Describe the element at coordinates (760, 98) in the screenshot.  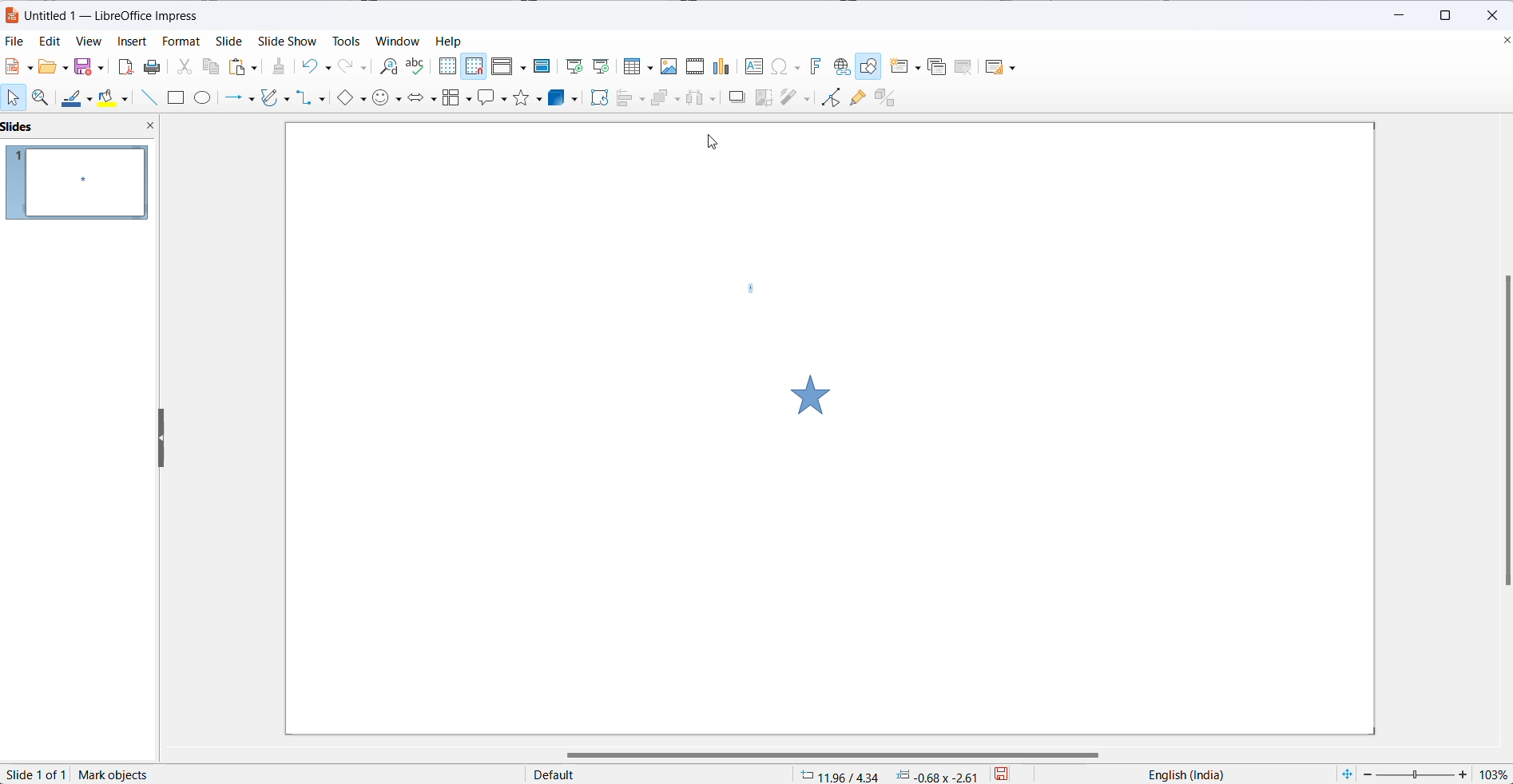
I see `crop image` at that location.